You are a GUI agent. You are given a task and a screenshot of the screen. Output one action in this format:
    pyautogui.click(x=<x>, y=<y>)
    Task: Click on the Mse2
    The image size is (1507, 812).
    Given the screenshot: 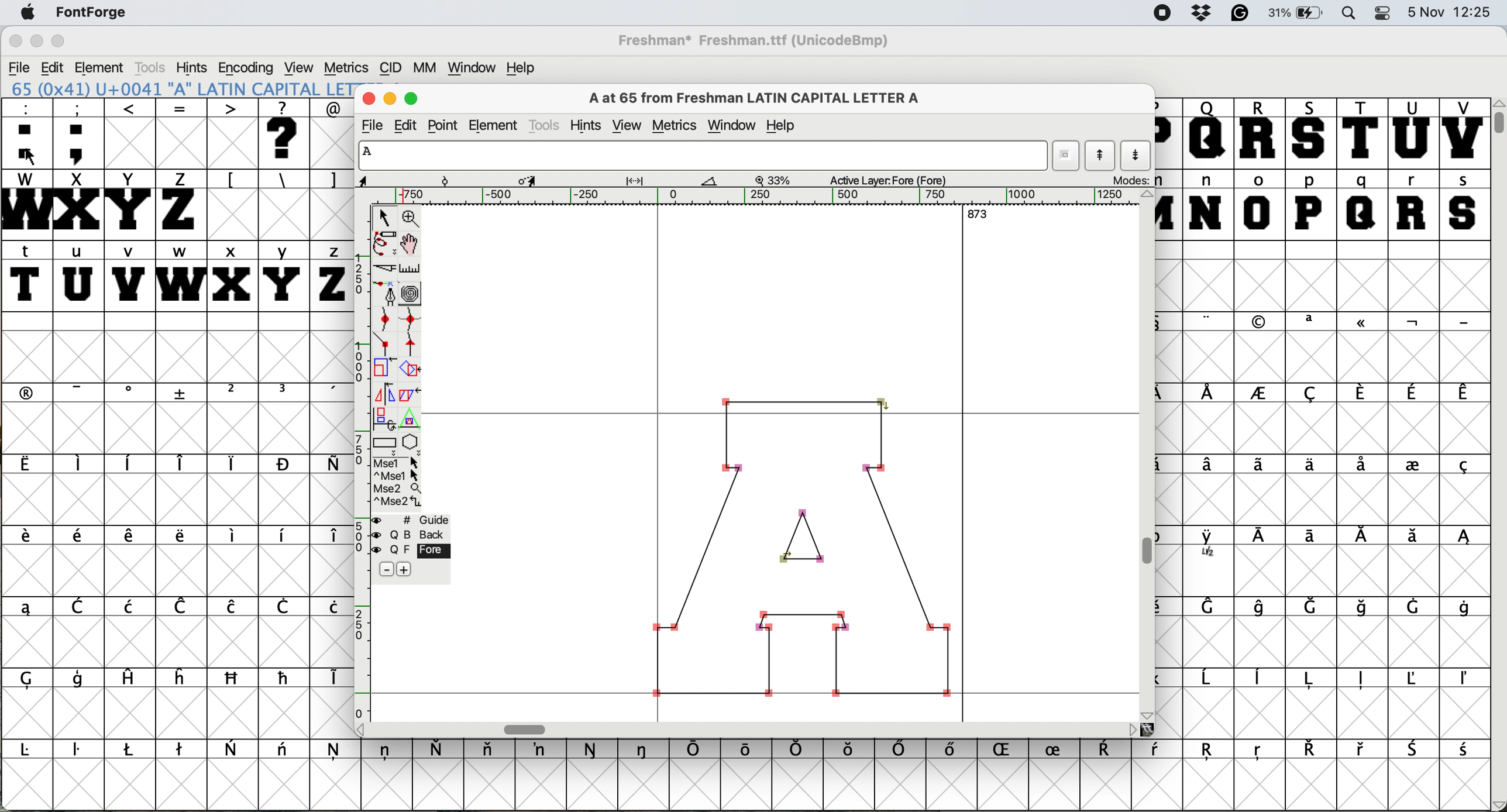 What is the action you would take?
    pyautogui.click(x=396, y=490)
    